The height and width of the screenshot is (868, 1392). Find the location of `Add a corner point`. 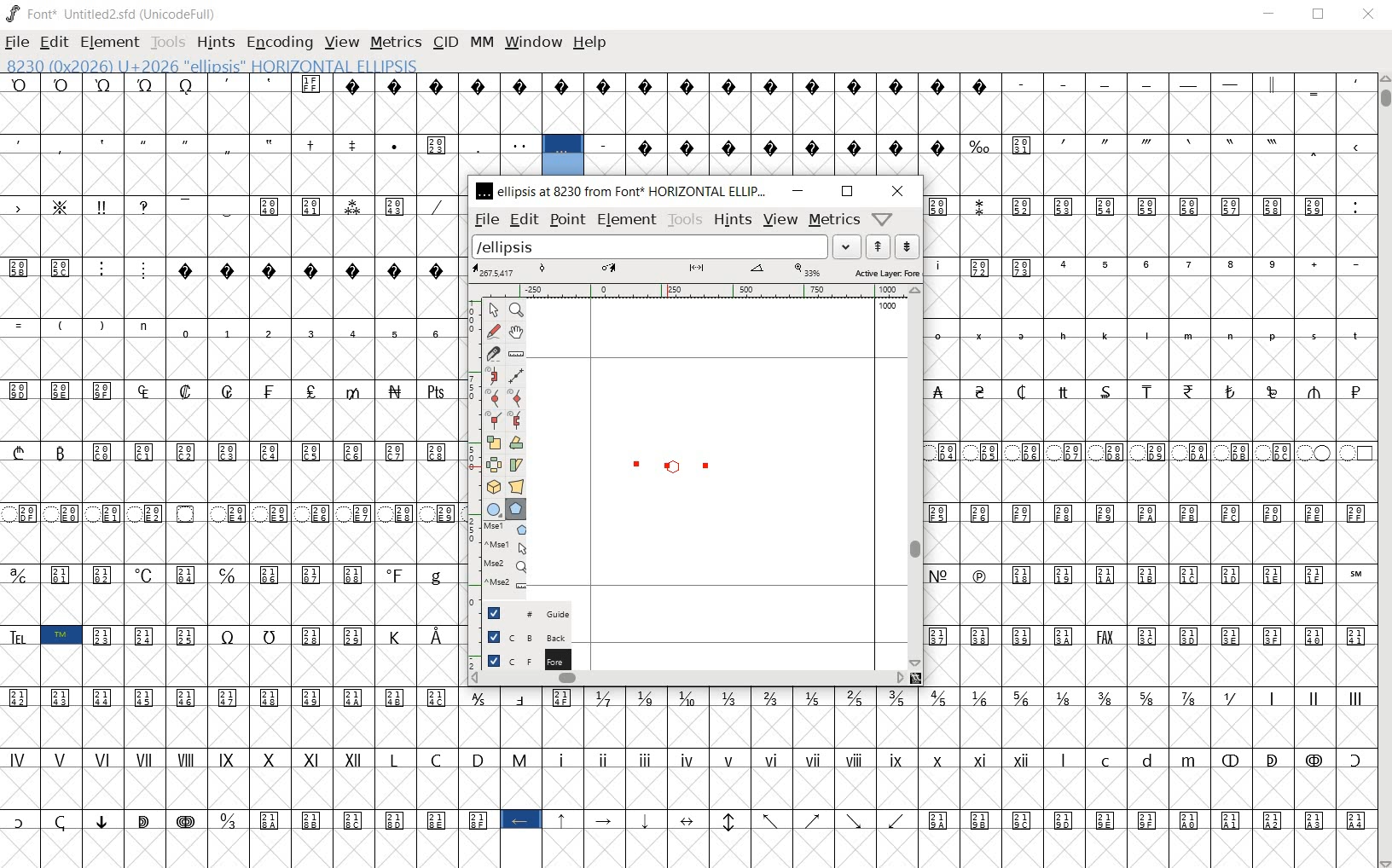

Add a corner point is located at coordinates (516, 420).